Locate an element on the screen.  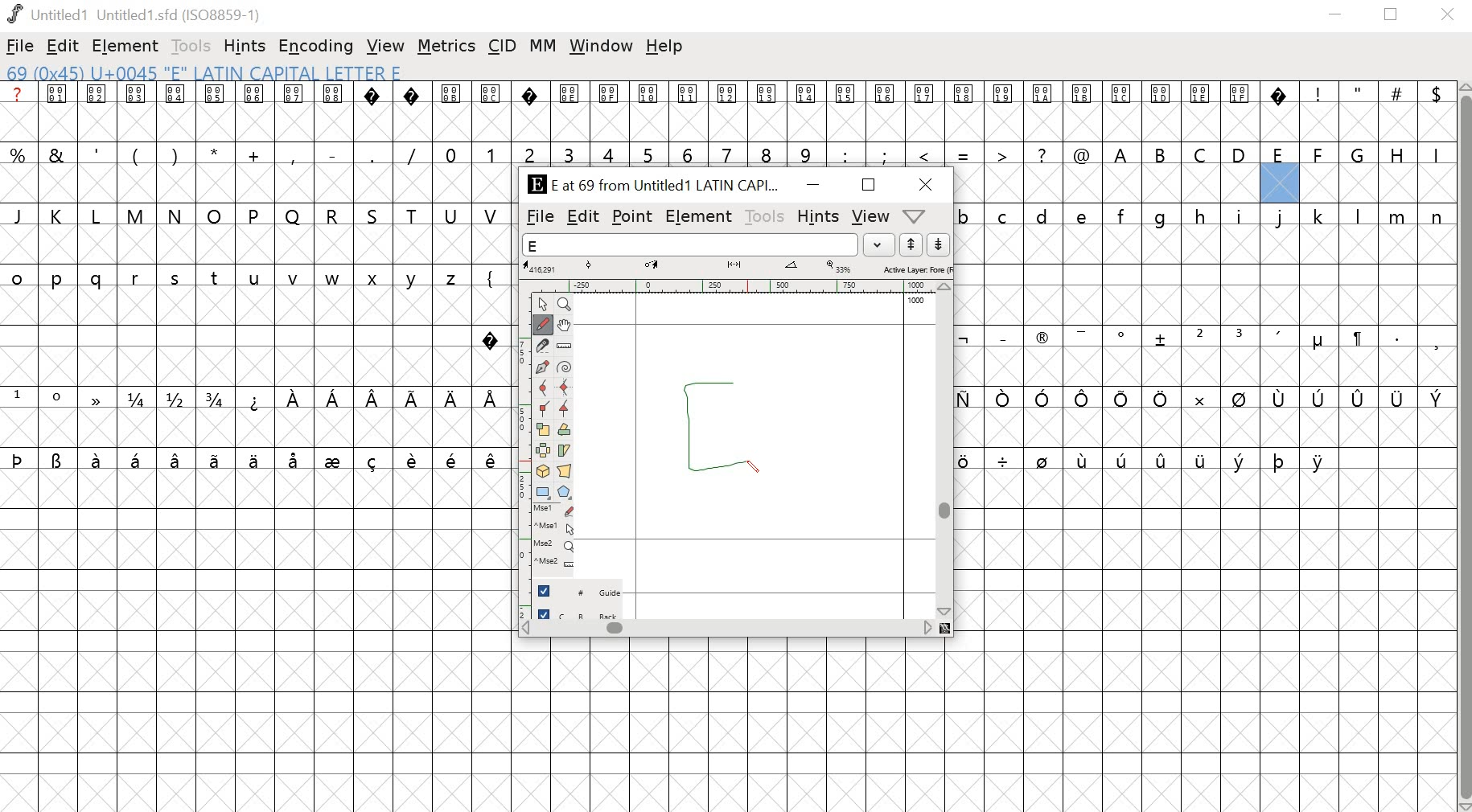
restore down is located at coordinates (1392, 15).